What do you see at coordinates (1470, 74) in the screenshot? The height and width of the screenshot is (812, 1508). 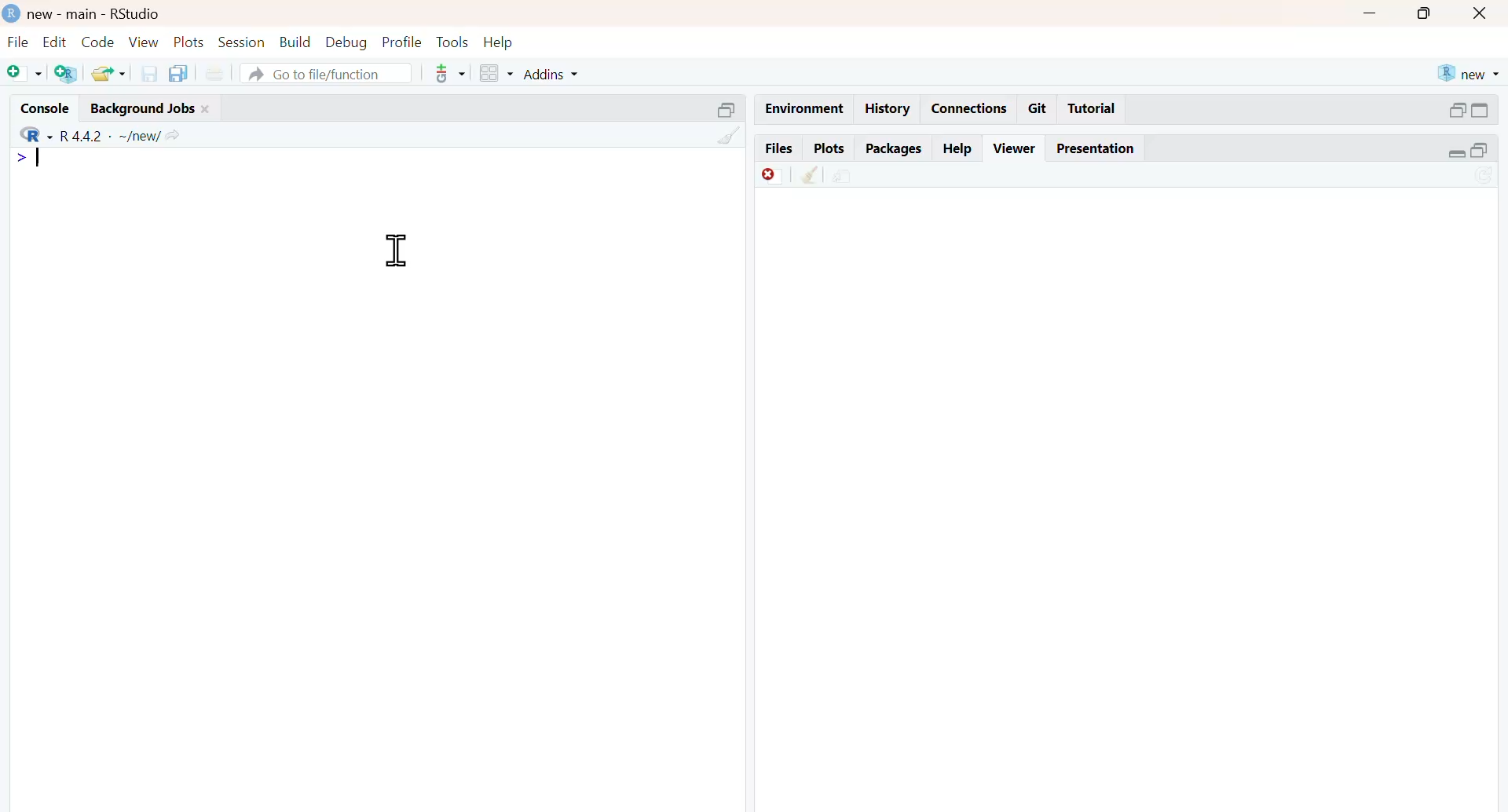 I see `new` at bounding box center [1470, 74].